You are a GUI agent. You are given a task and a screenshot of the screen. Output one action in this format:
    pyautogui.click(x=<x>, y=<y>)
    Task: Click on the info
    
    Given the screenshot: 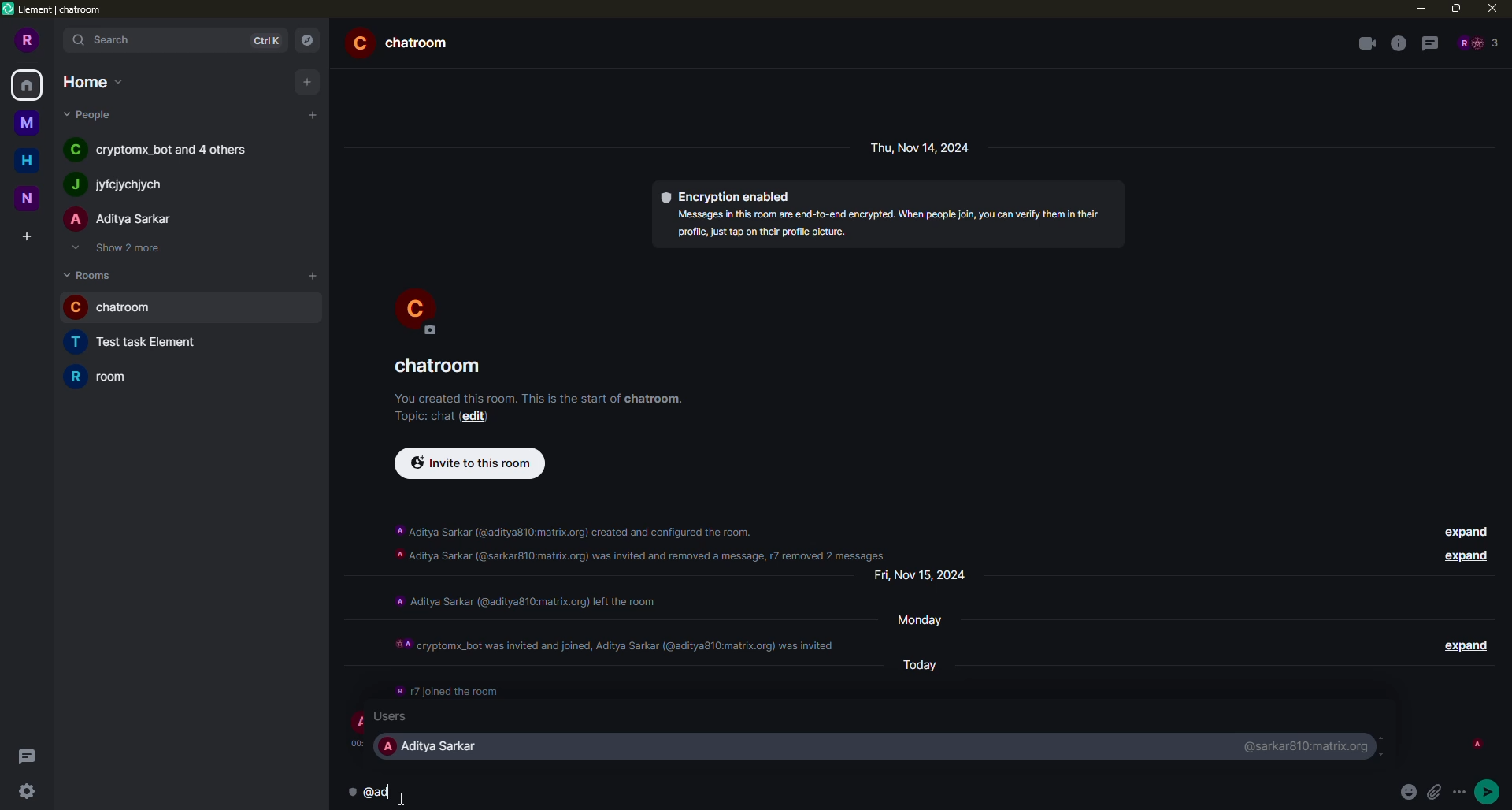 What is the action you would take?
    pyautogui.click(x=643, y=539)
    